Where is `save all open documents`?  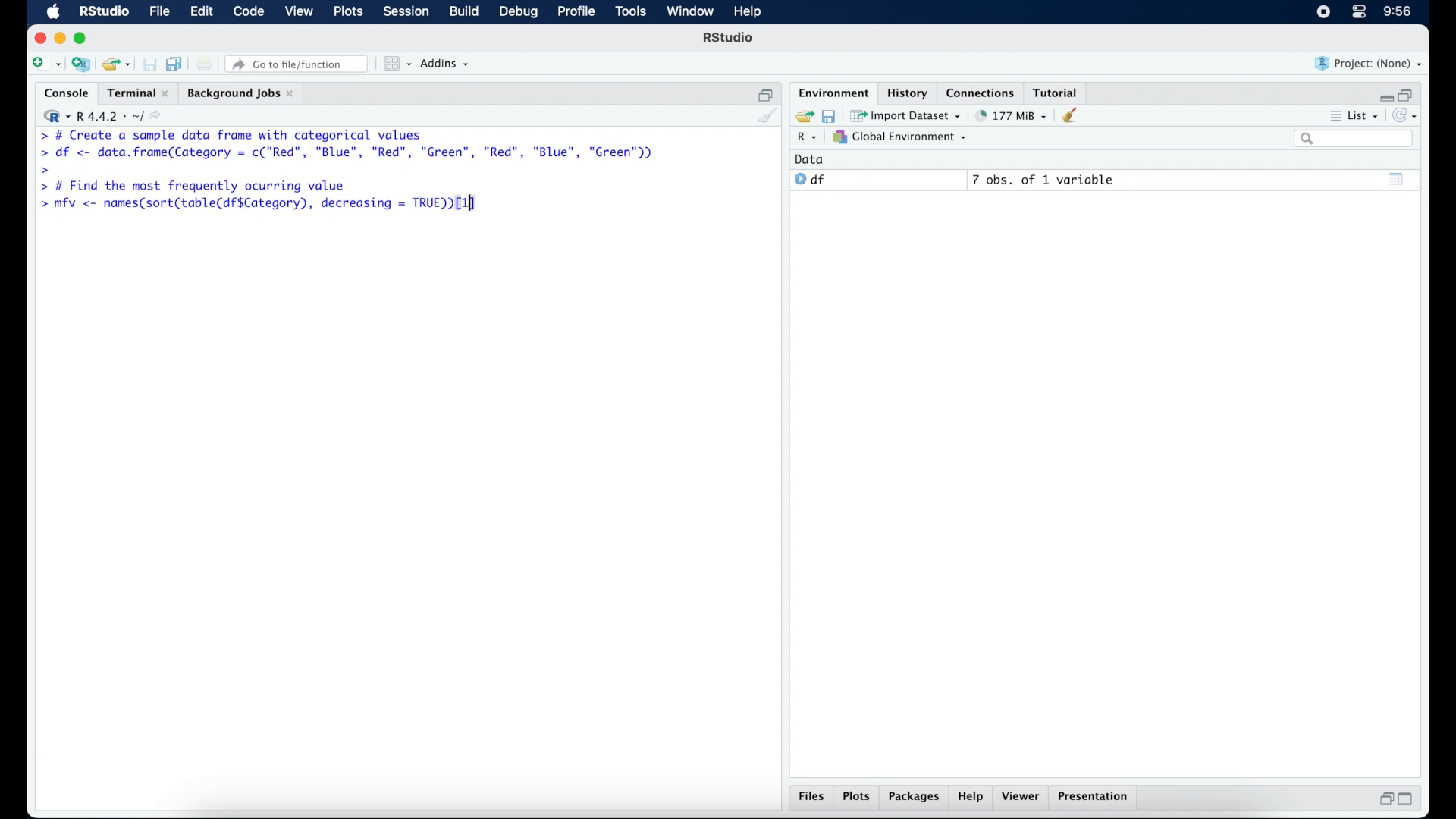 save all open documents is located at coordinates (174, 62).